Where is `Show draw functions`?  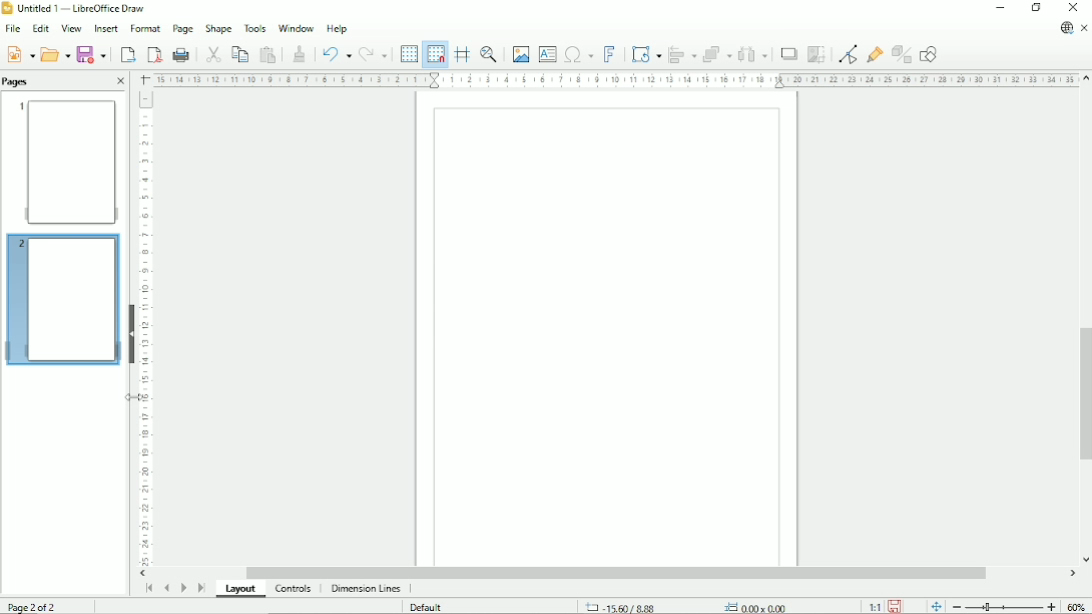 Show draw functions is located at coordinates (928, 54).